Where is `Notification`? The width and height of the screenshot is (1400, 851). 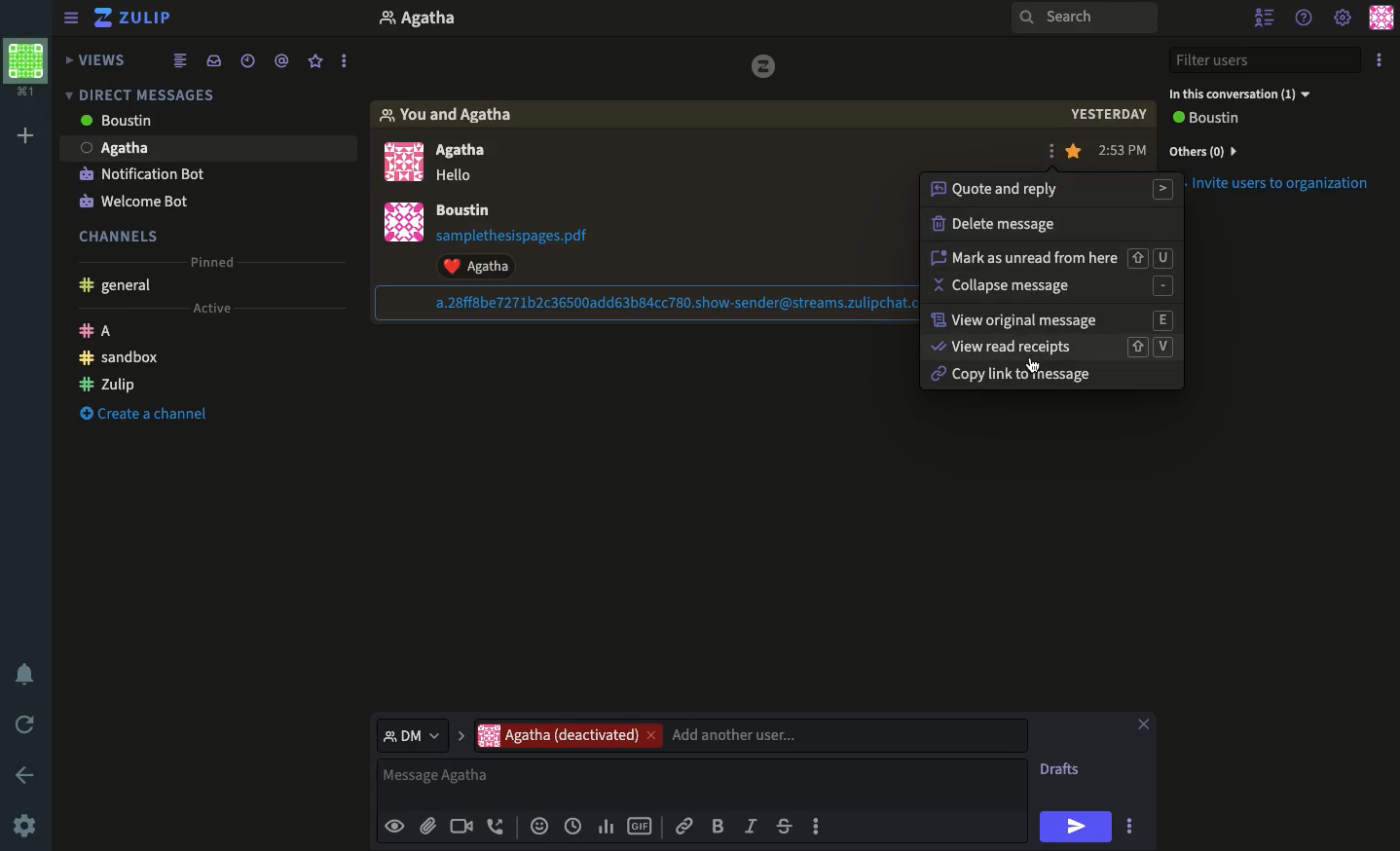
Notification is located at coordinates (28, 674).